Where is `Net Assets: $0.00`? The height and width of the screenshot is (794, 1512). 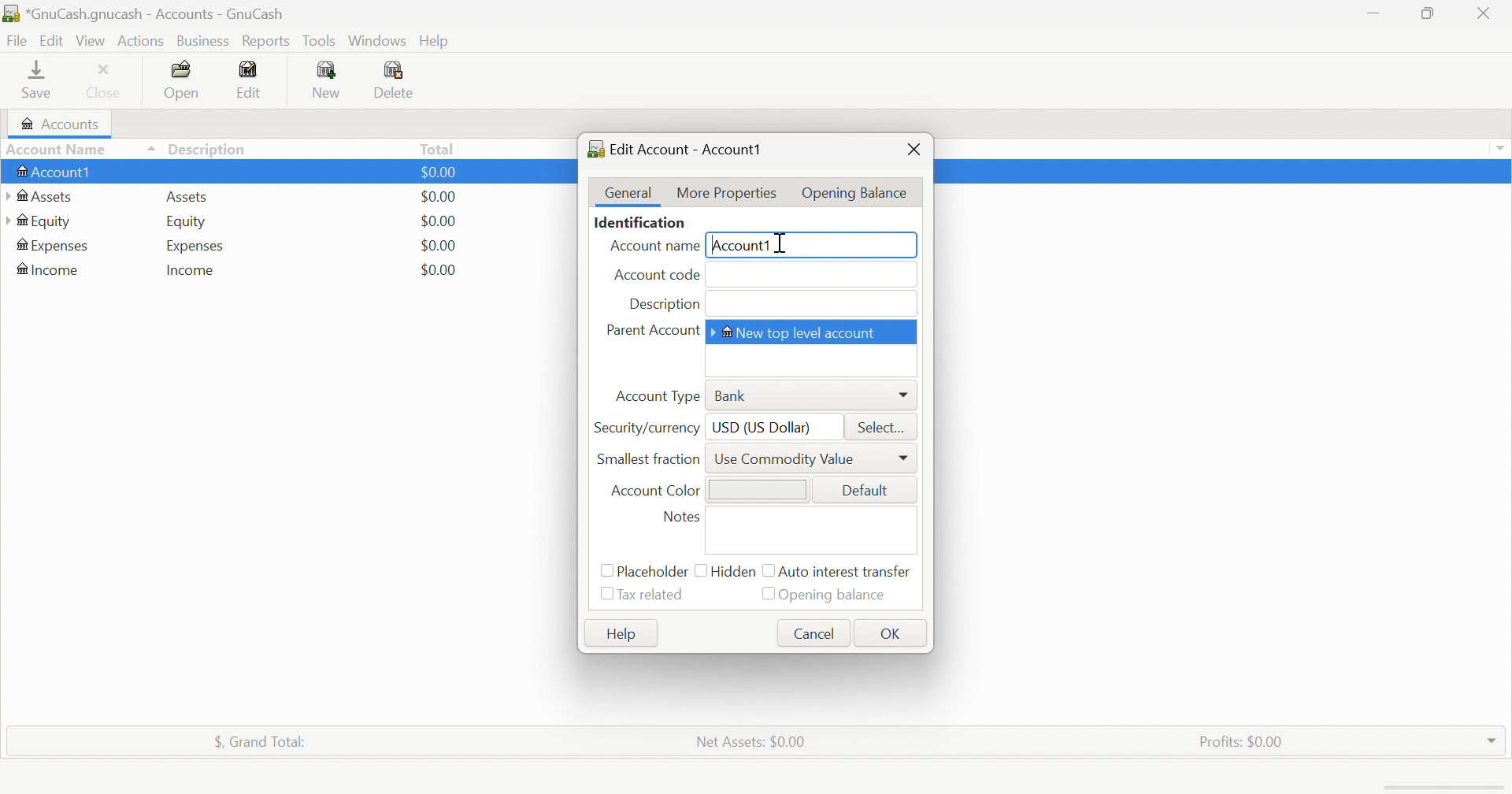
Net Assets: $0.00 is located at coordinates (755, 741).